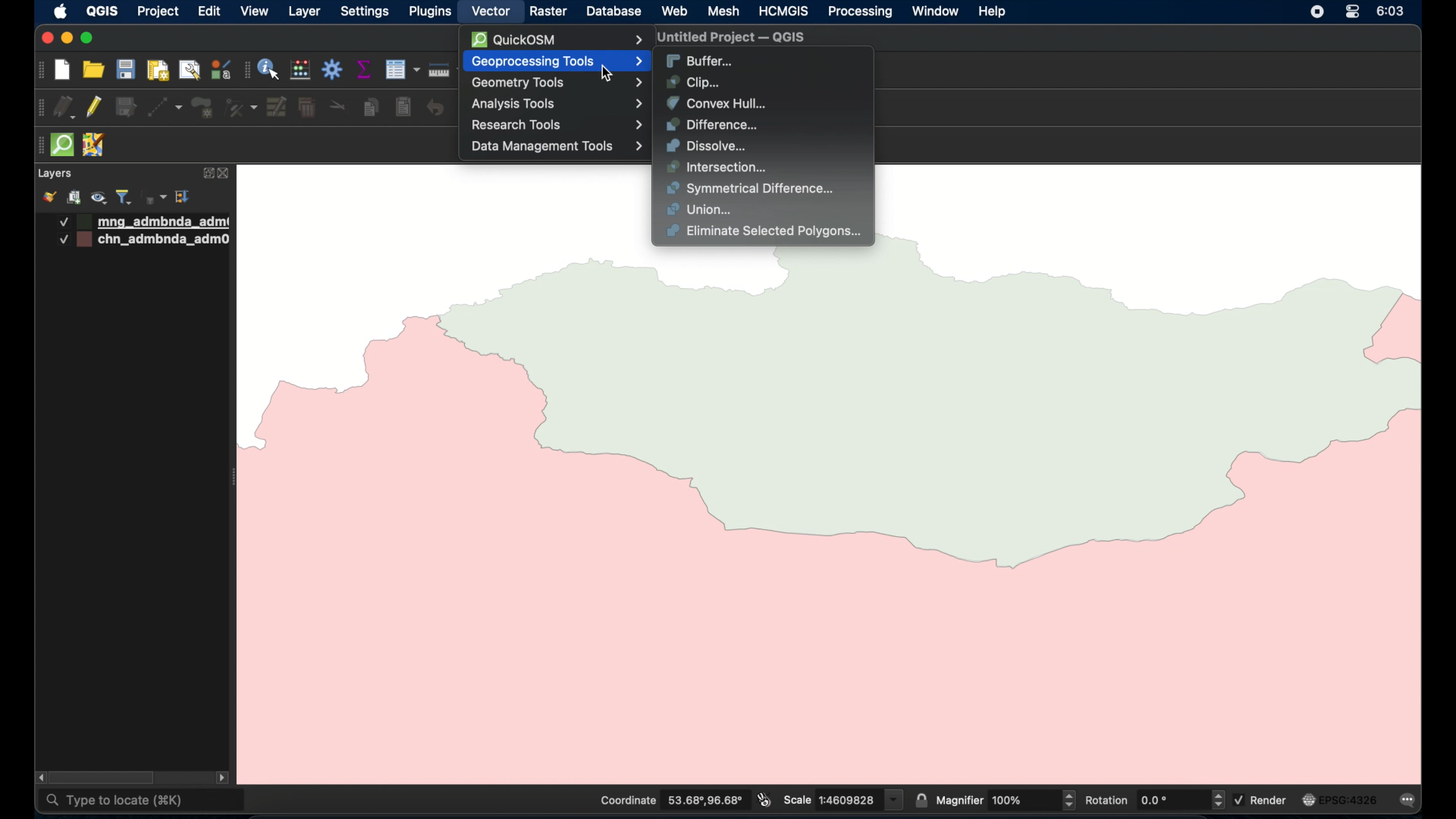 This screenshot has width=1456, height=819. I want to click on toolbox, so click(333, 69).